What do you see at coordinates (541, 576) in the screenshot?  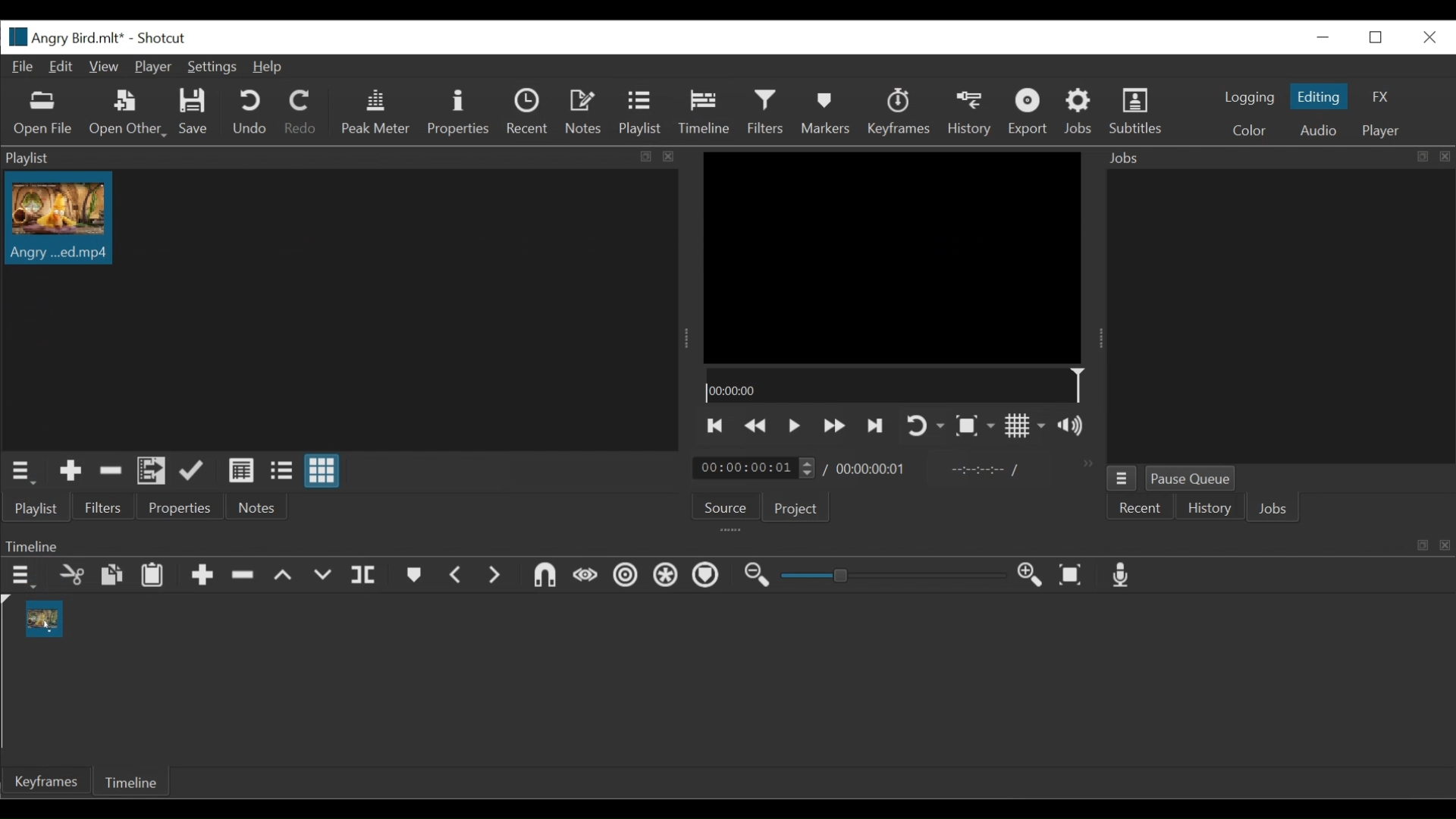 I see `Snap` at bounding box center [541, 576].